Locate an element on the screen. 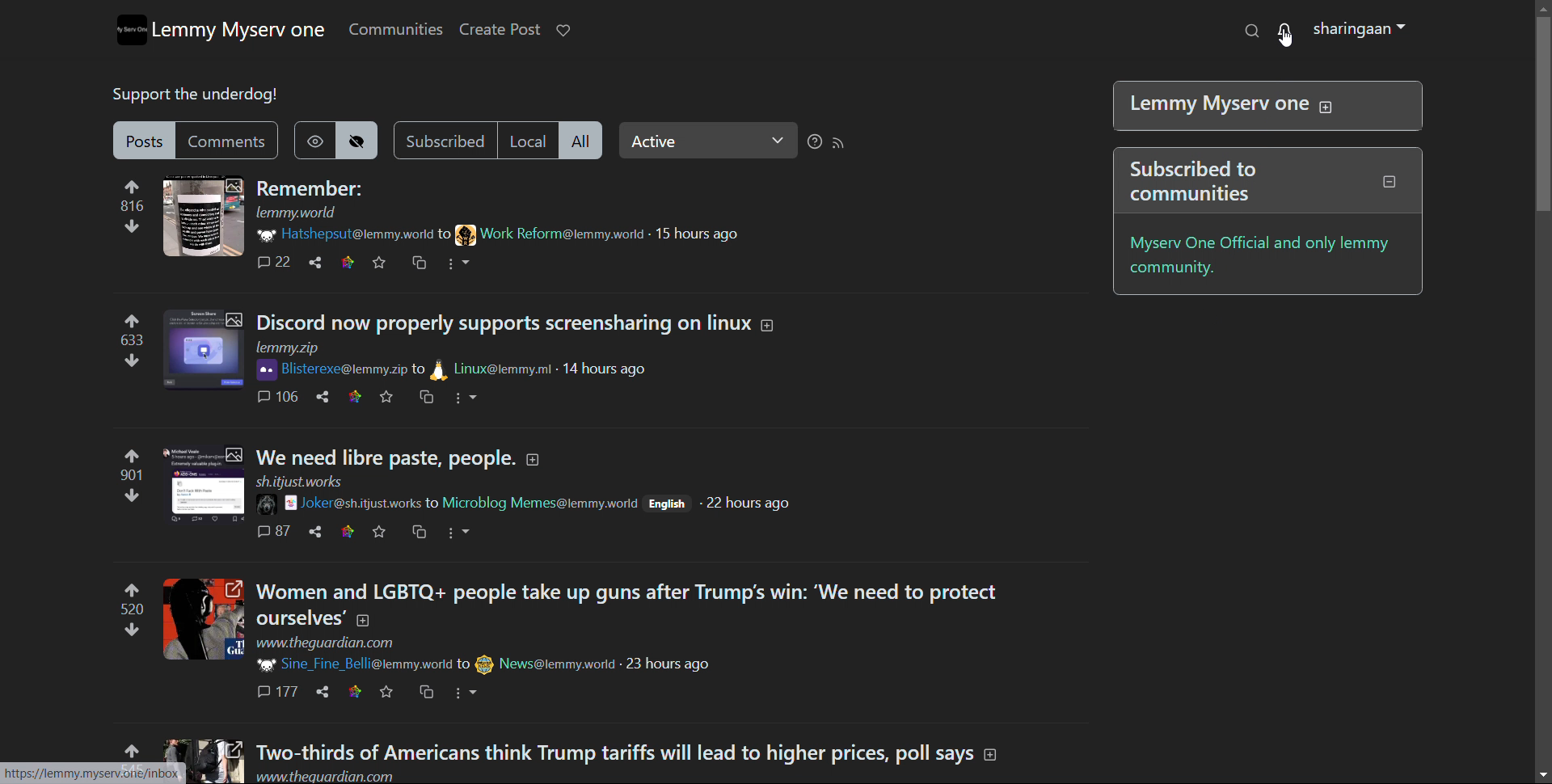 Image resolution: width=1552 pixels, height=784 pixels. username is located at coordinates (342, 234).